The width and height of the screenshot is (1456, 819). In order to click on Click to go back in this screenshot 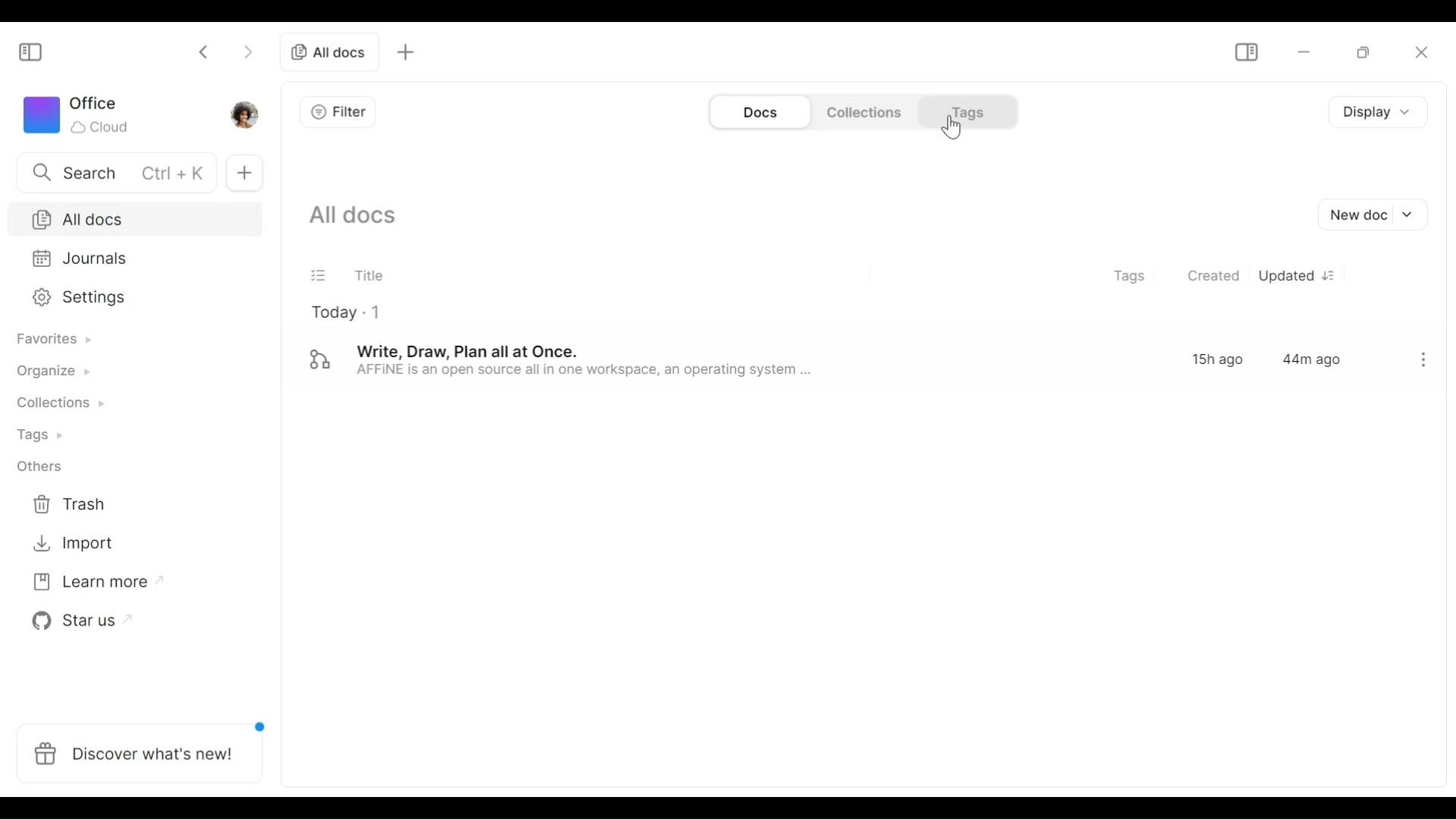, I will do `click(206, 52)`.